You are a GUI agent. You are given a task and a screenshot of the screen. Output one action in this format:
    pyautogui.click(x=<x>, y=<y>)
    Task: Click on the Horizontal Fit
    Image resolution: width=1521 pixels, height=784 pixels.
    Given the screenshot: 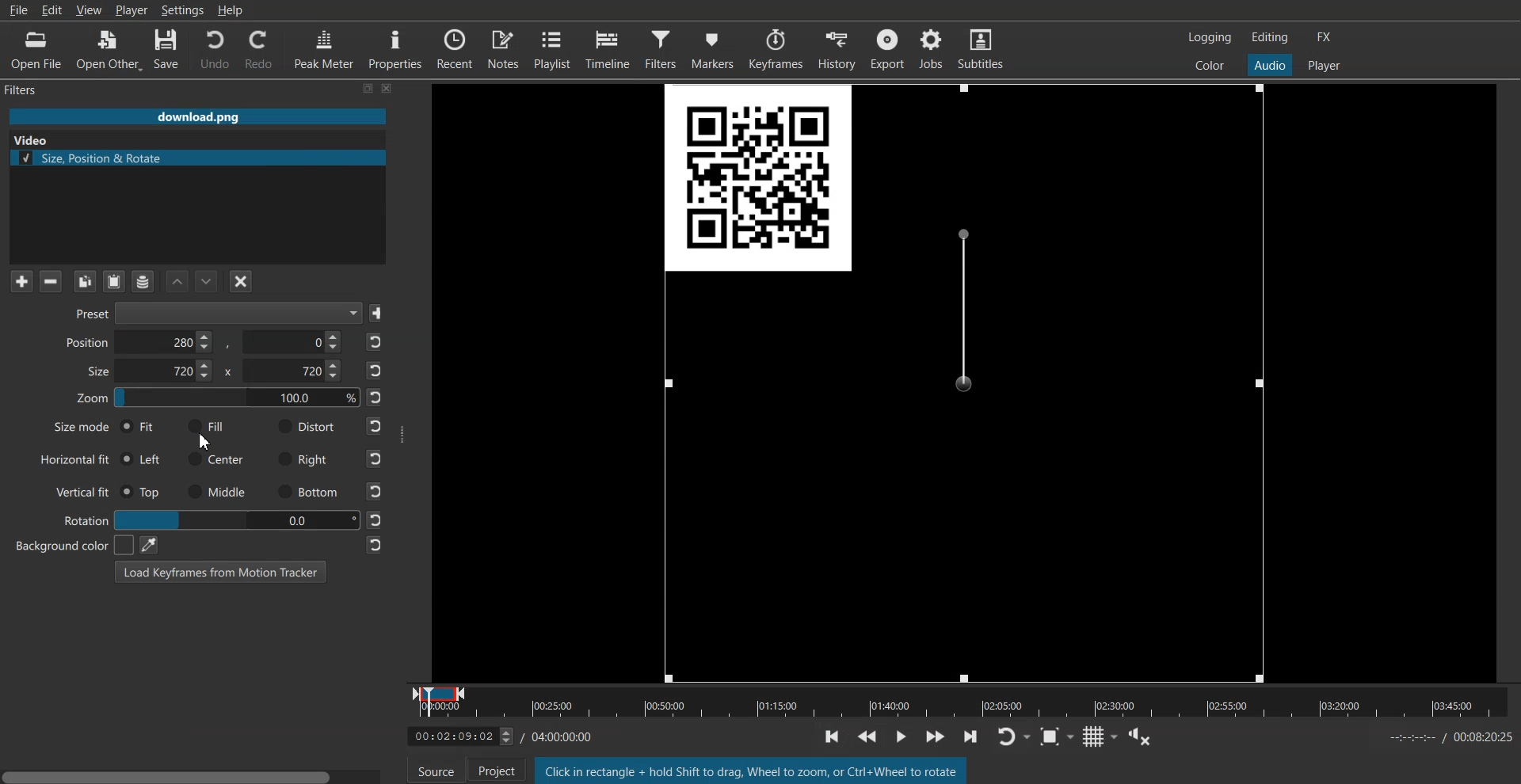 What is the action you would take?
    pyautogui.click(x=74, y=460)
    